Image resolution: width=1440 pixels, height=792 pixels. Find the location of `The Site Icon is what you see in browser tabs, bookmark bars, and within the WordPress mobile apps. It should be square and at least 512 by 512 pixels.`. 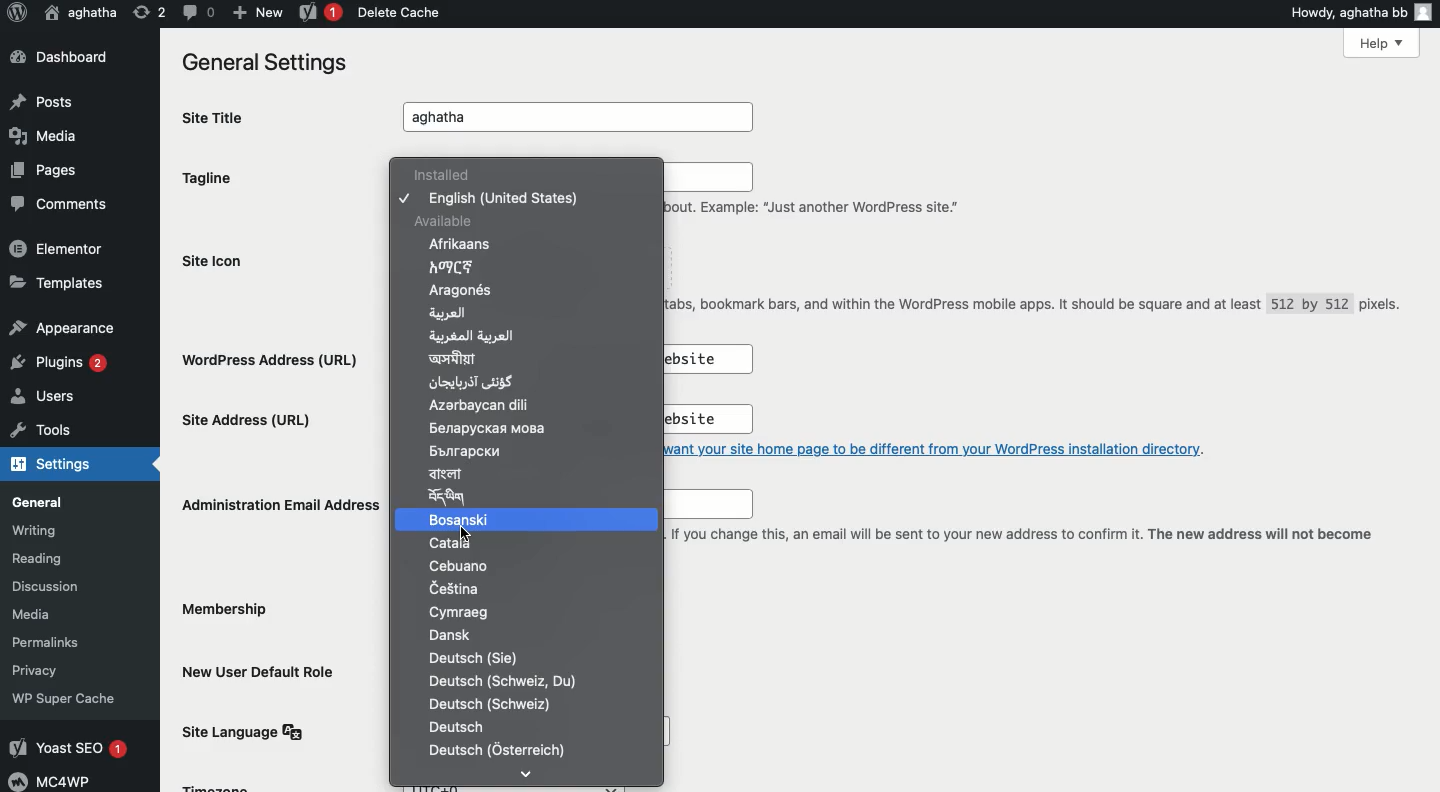

The Site Icon is what you see in browser tabs, bookmark bars, and within the WordPress mobile apps. It should be square and at least 512 by 512 pixels. is located at coordinates (1037, 311).